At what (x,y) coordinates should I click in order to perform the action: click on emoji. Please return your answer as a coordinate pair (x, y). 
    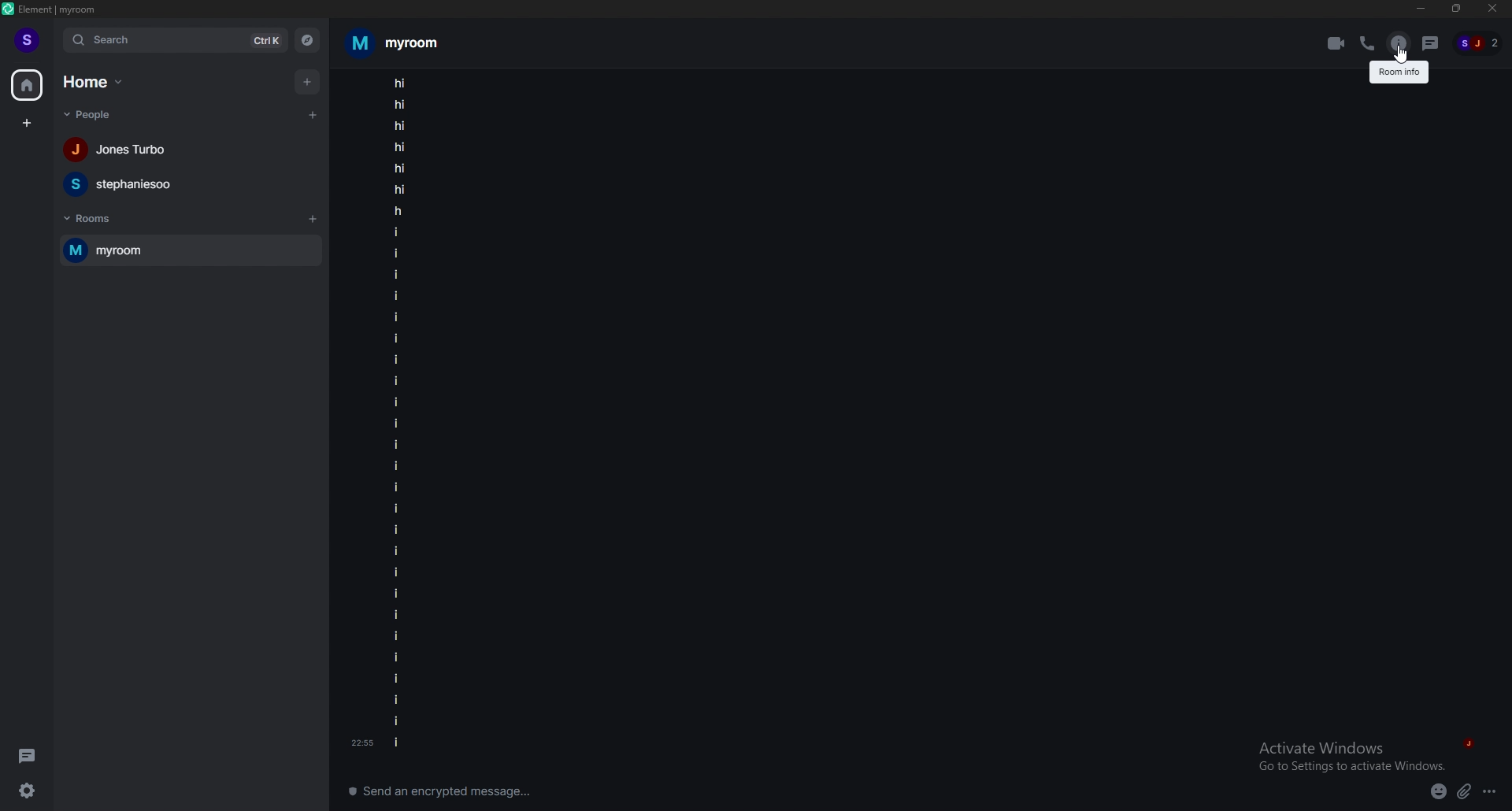
    Looking at the image, I should click on (1439, 792).